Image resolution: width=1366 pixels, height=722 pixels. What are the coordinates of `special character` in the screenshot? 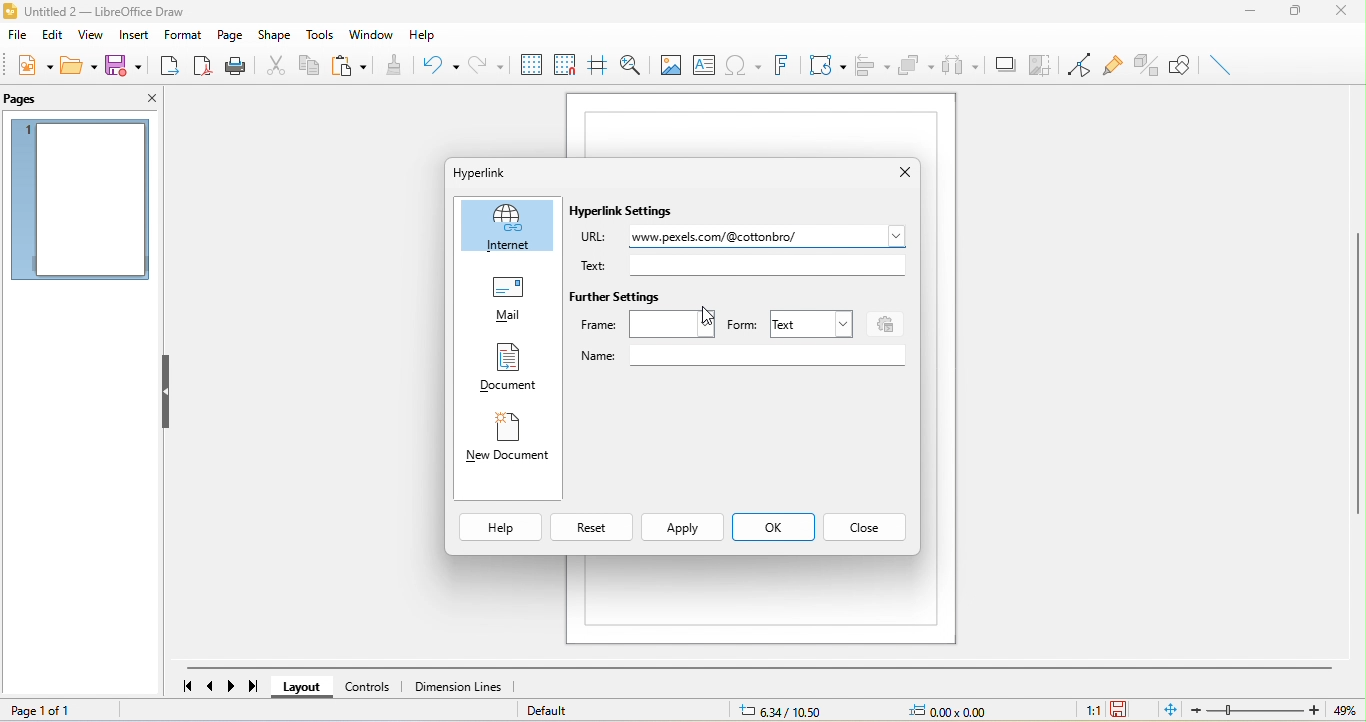 It's located at (746, 66).